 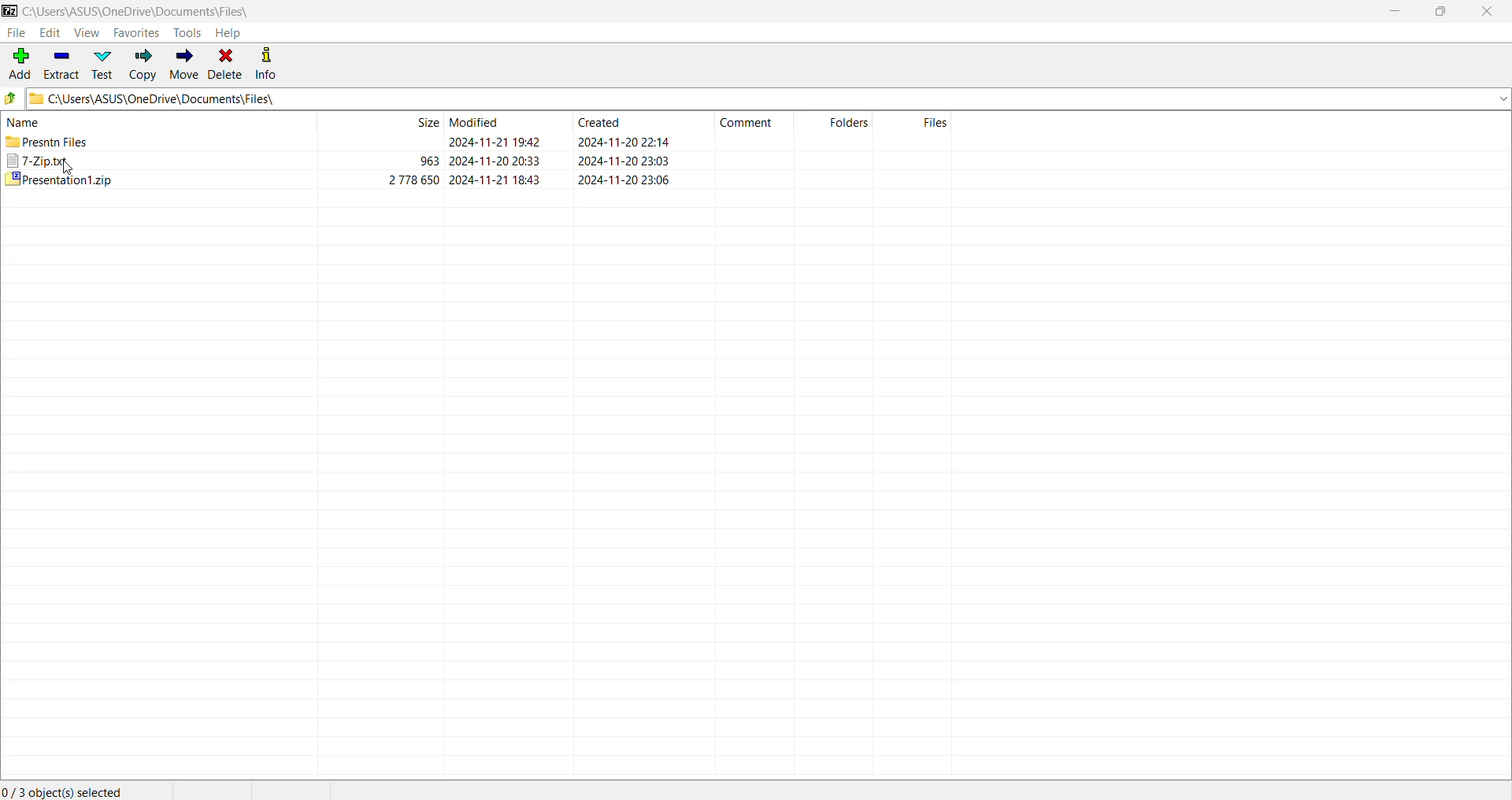 What do you see at coordinates (474, 122) in the screenshot?
I see `modified` at bounding box center [474, 122].